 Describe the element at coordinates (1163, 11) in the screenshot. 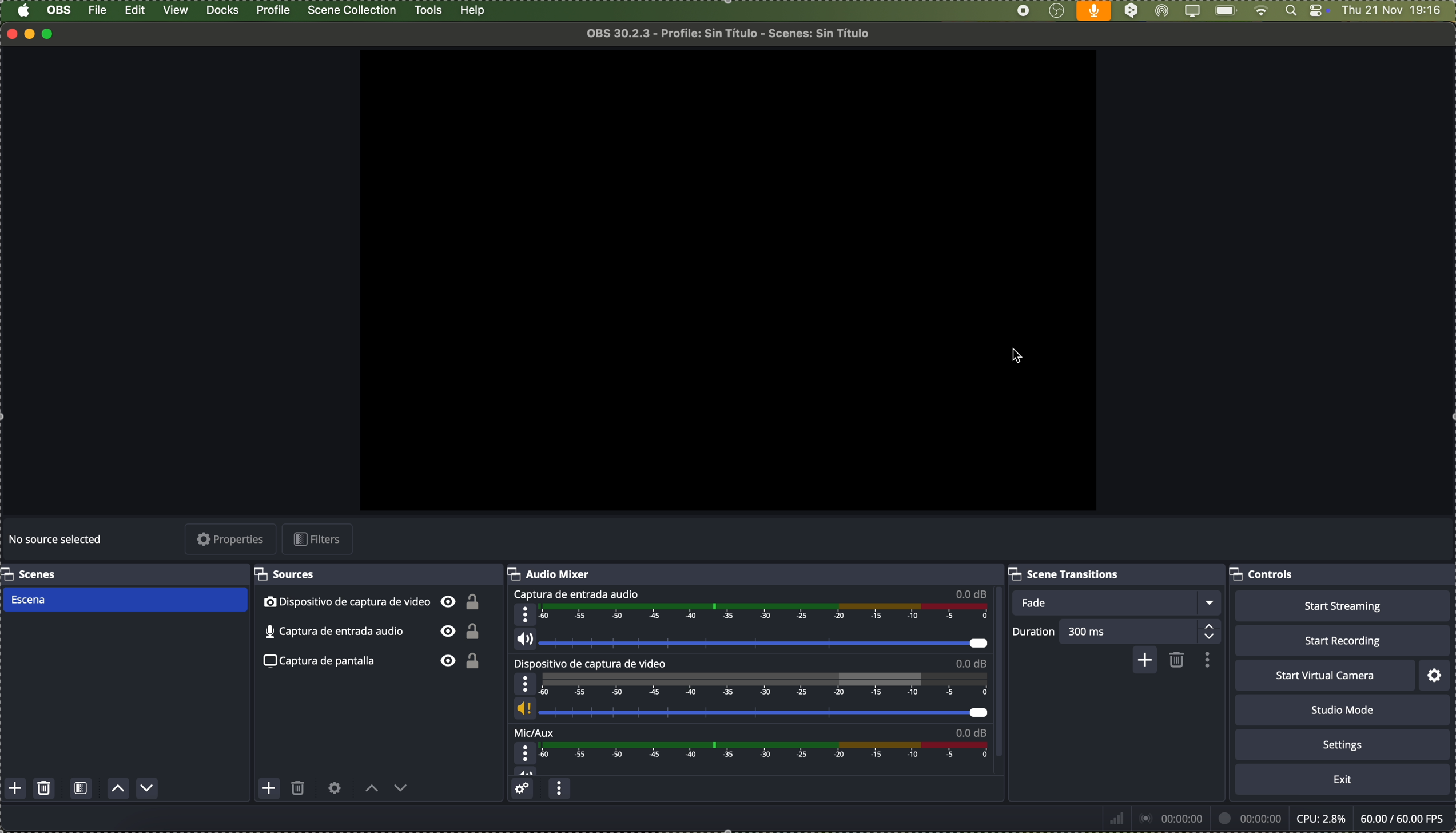

I see `AirDrop` at that location.